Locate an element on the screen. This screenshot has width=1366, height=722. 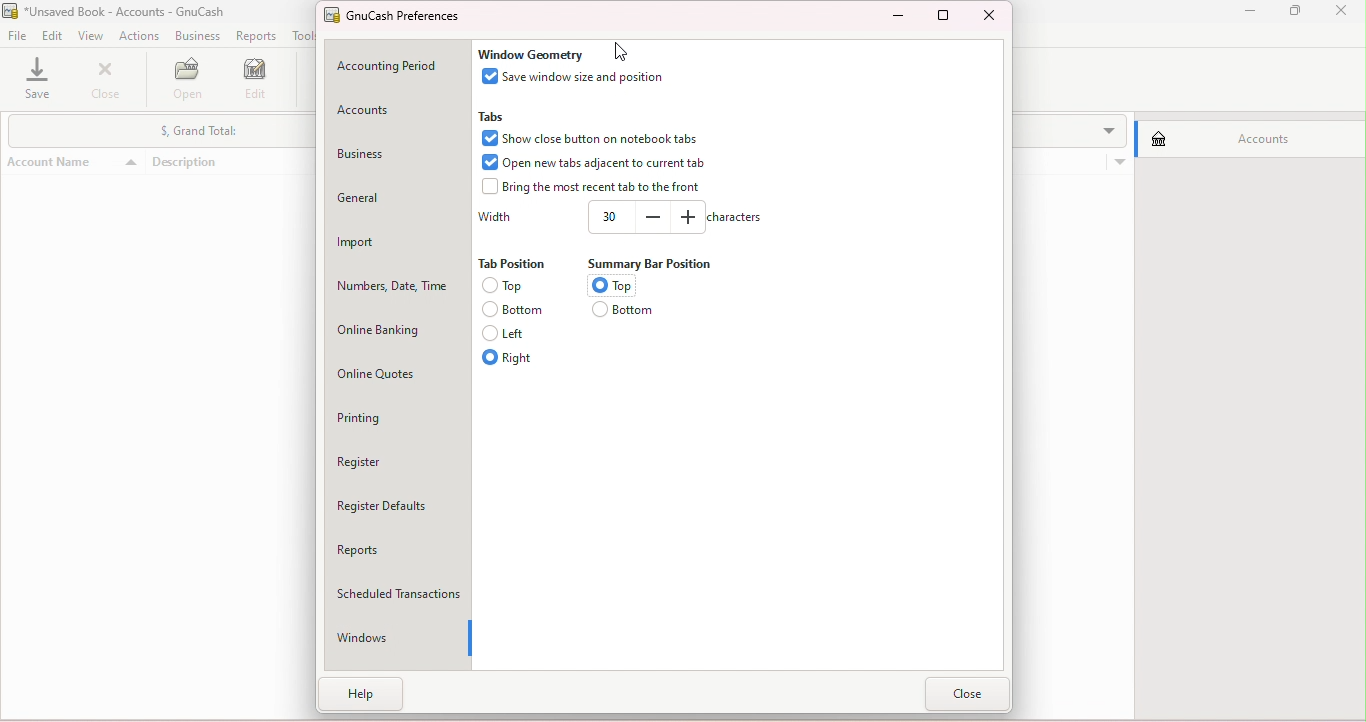
Reports is located at coordinates (255, 36).